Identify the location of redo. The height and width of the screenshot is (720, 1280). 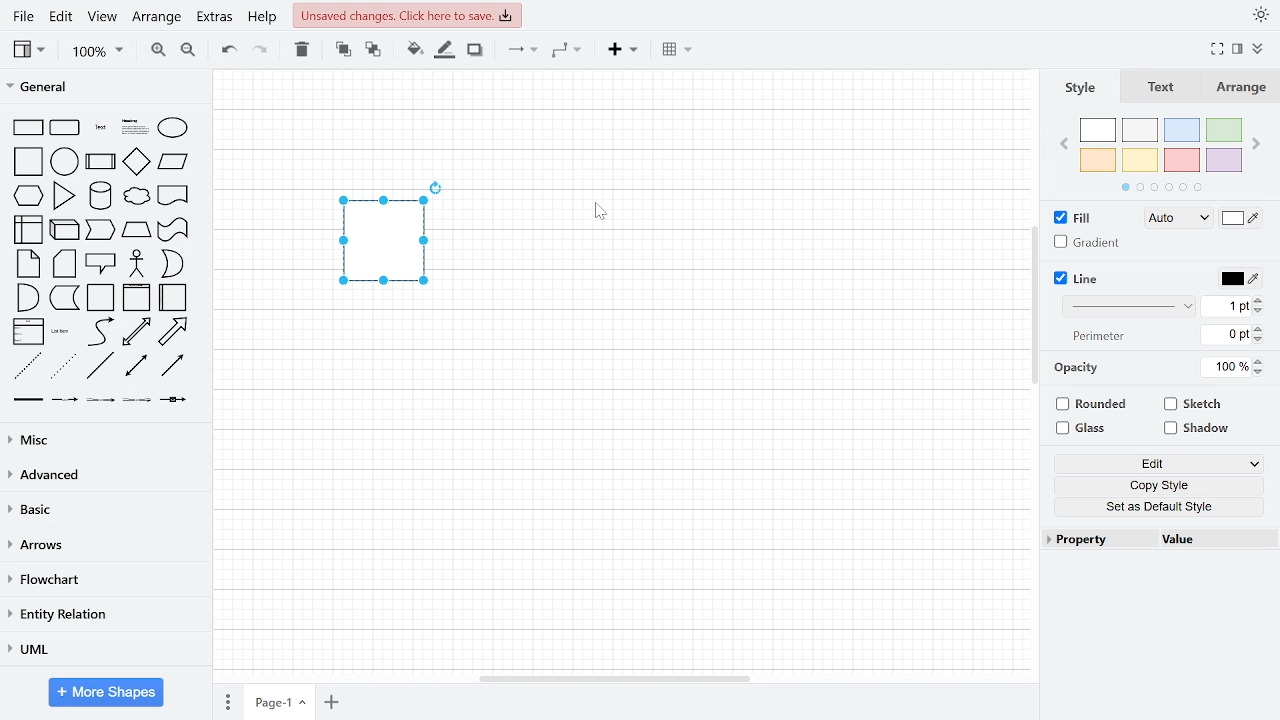
(260, 50).